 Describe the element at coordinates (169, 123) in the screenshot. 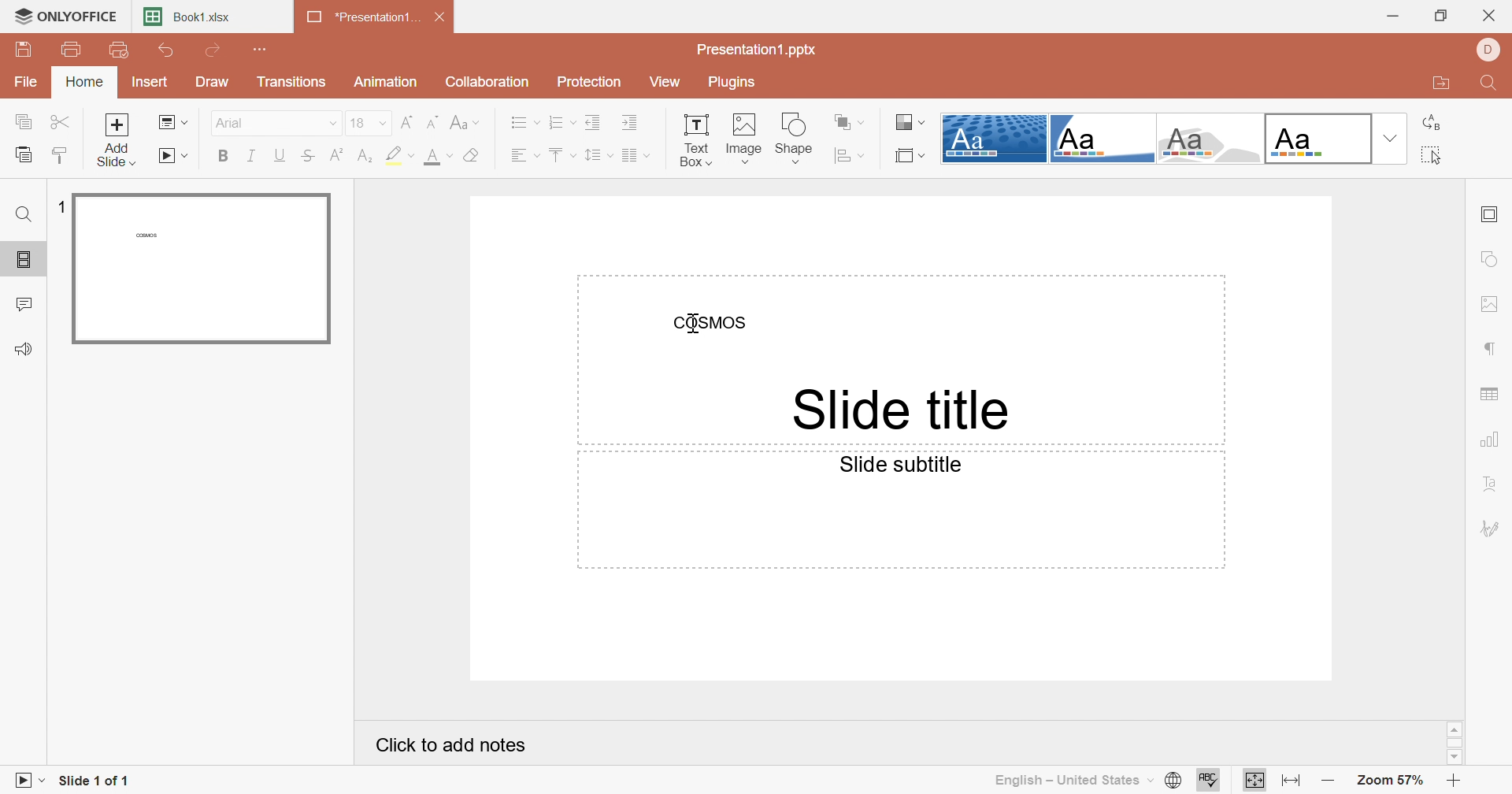

I see `Change slide layout` at that location.